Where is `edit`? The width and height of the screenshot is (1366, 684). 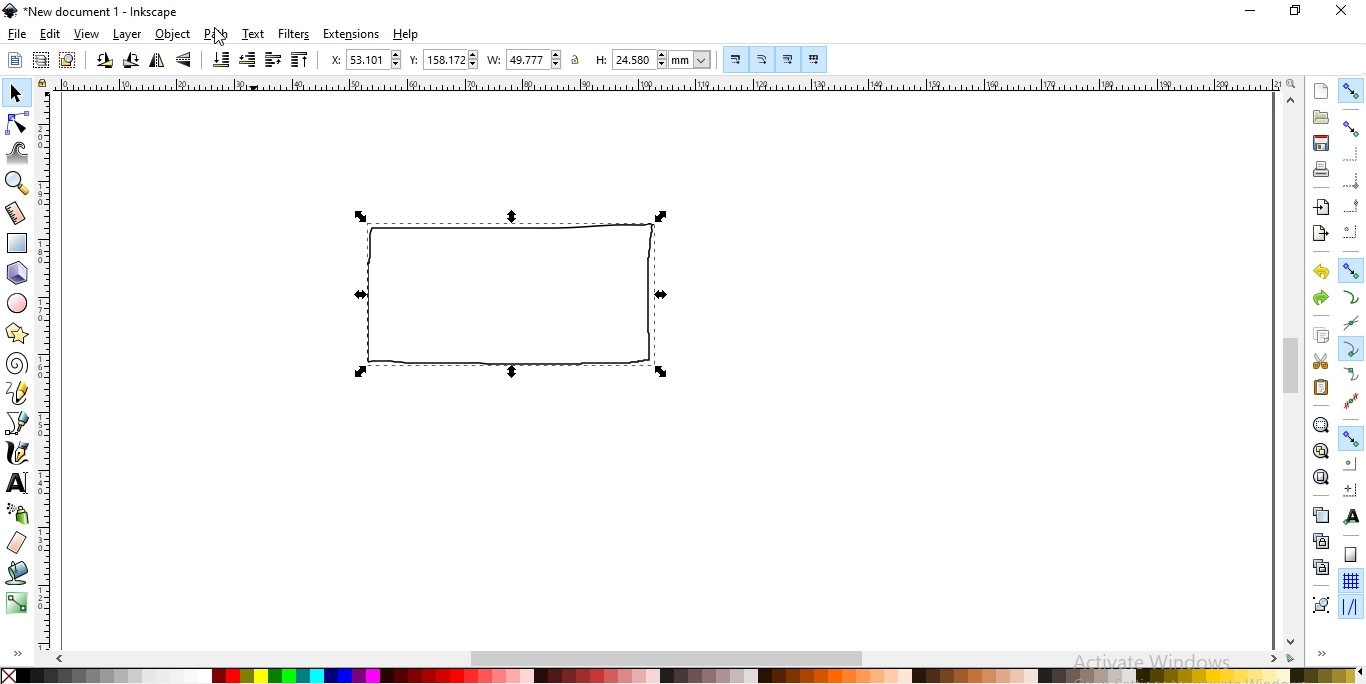
edit is located at coordinates (49, 34).